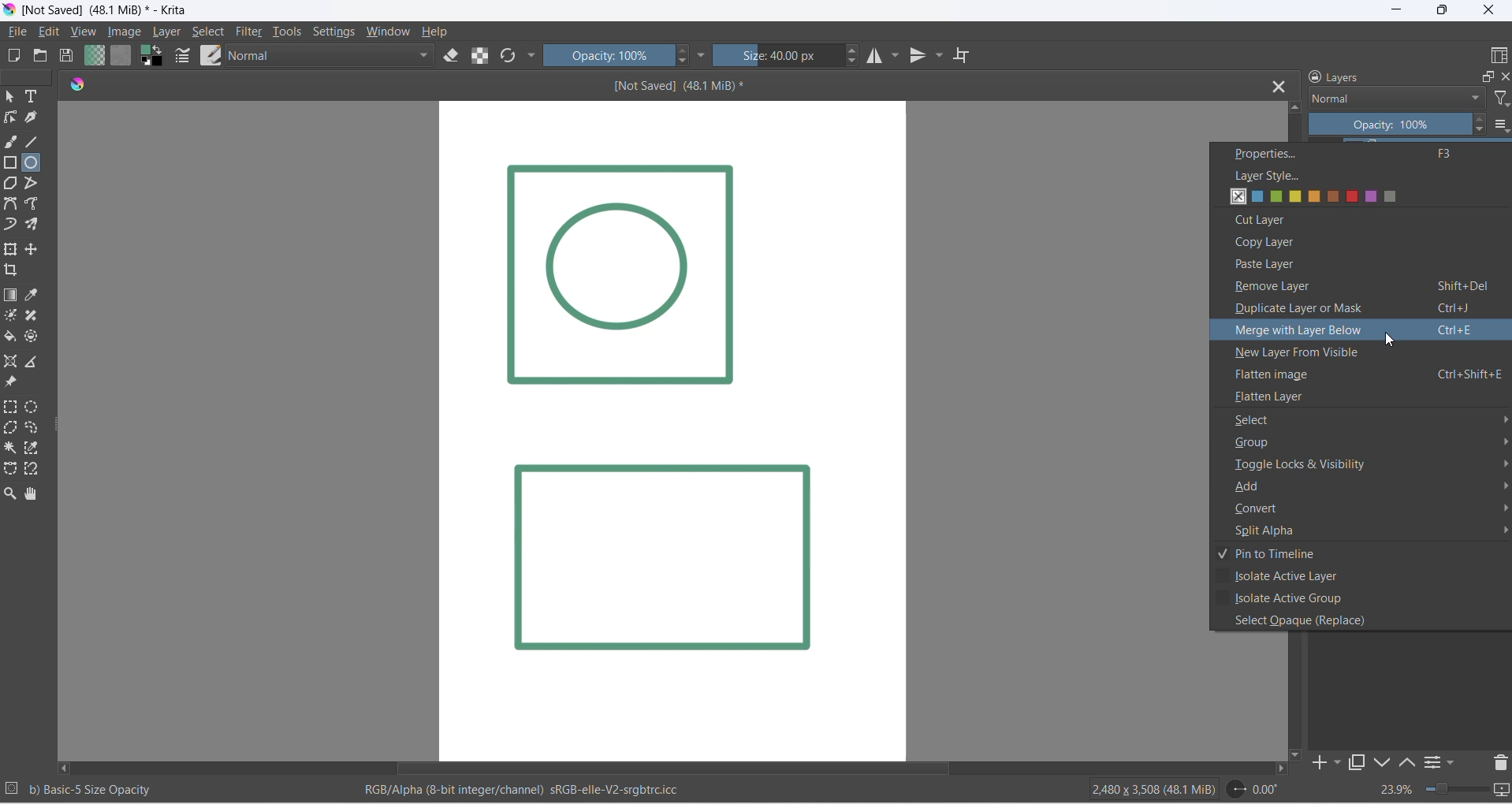 The height and width of the screenshot is (804, 1512). What do you see at coordinates (70, 56) in the screenshot?
I see `save` at bounding box center [70, 56].